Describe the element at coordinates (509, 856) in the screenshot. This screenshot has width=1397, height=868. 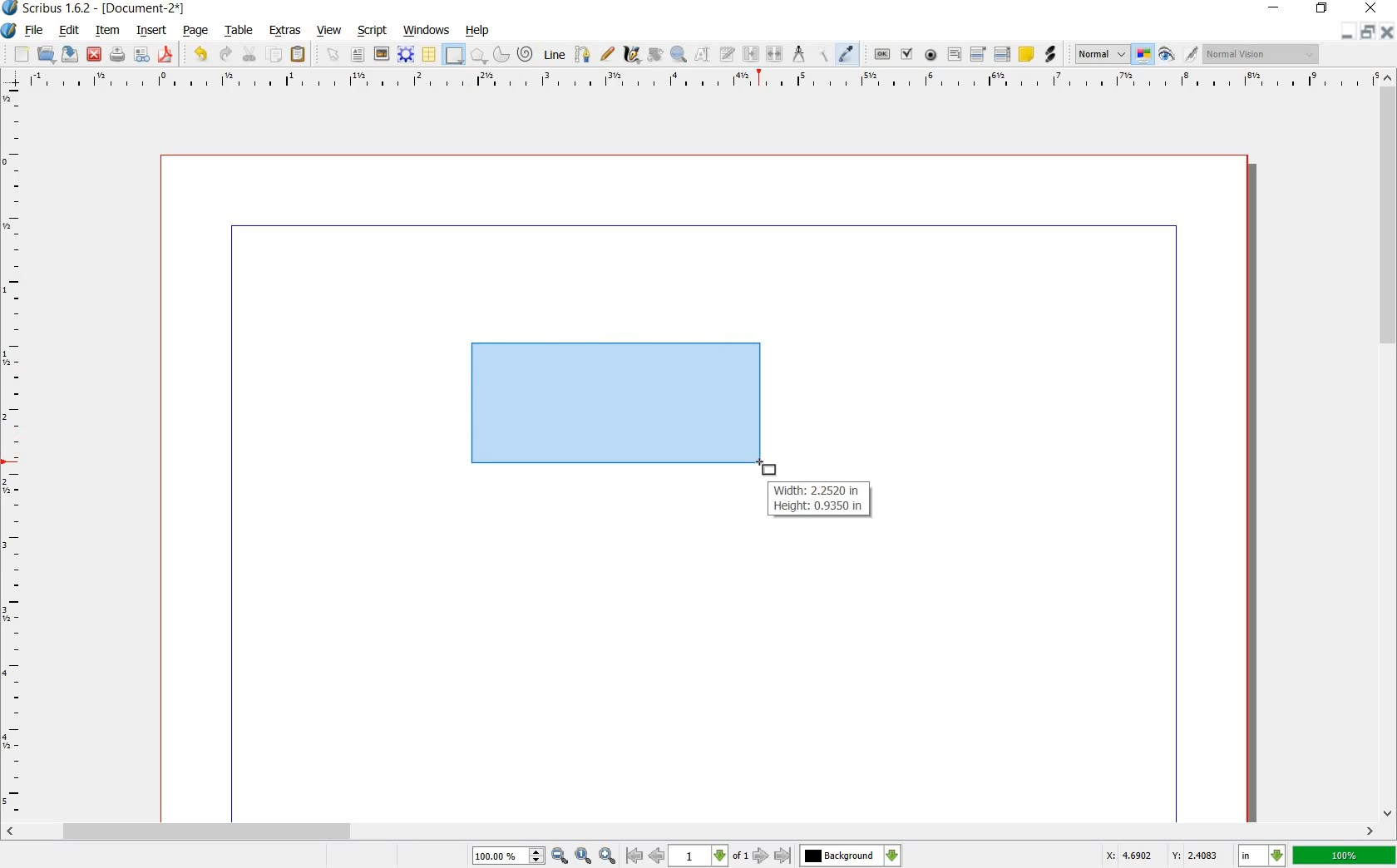
I see `100.00%` at that location.